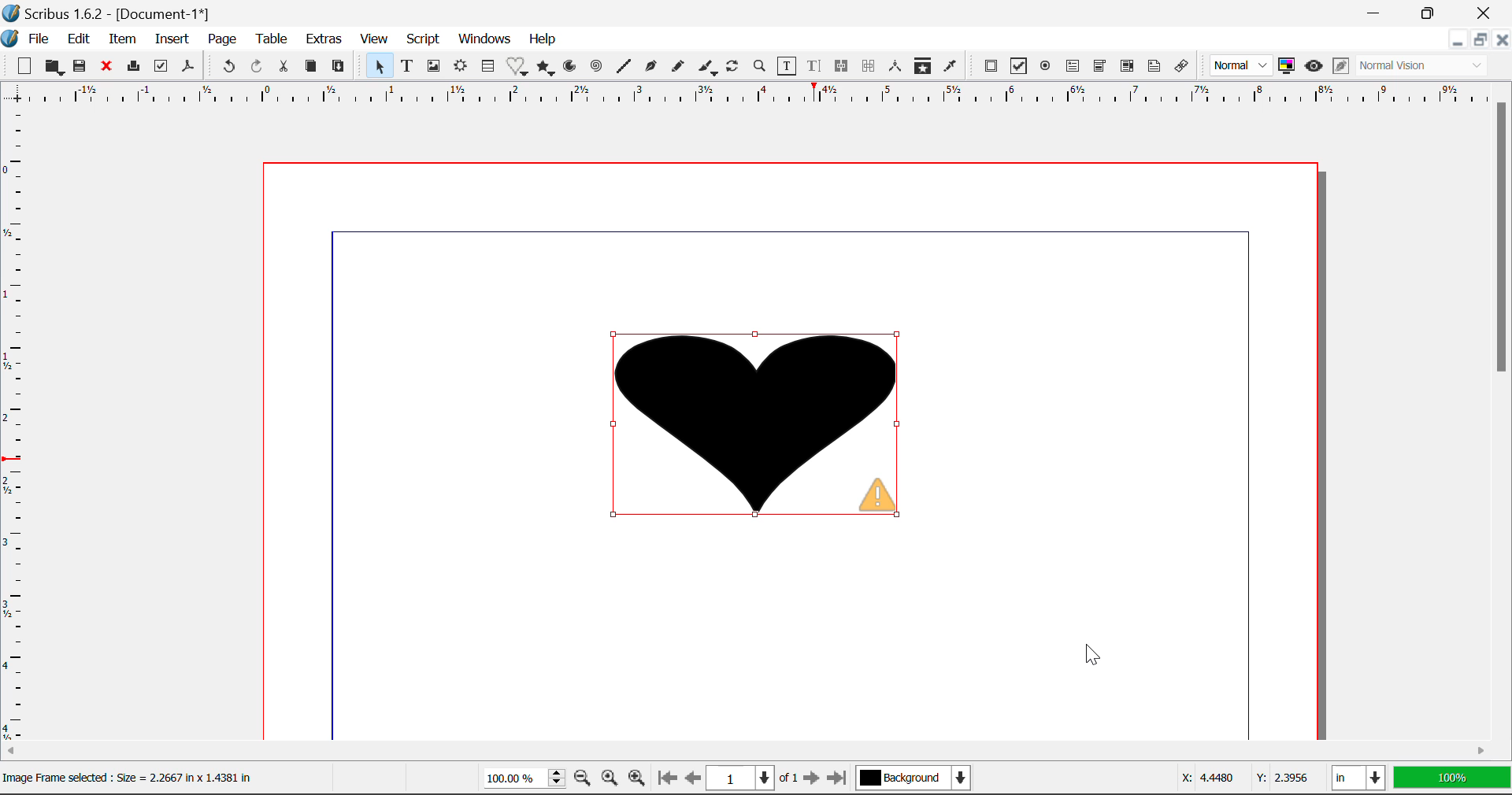 This screenshot has width=1512, height=795. I want to click on Last Page, so click(839, 778).